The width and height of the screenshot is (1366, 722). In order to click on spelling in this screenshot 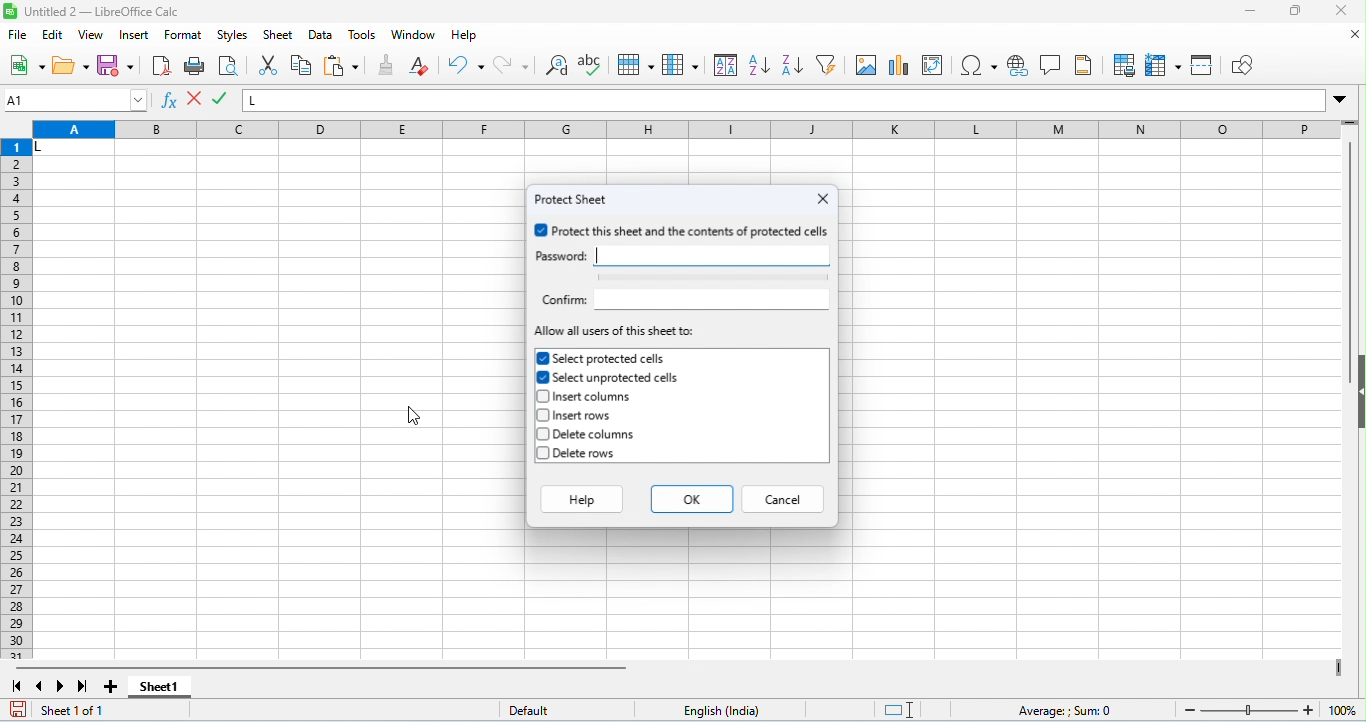, I will do `click(593, 67)`.